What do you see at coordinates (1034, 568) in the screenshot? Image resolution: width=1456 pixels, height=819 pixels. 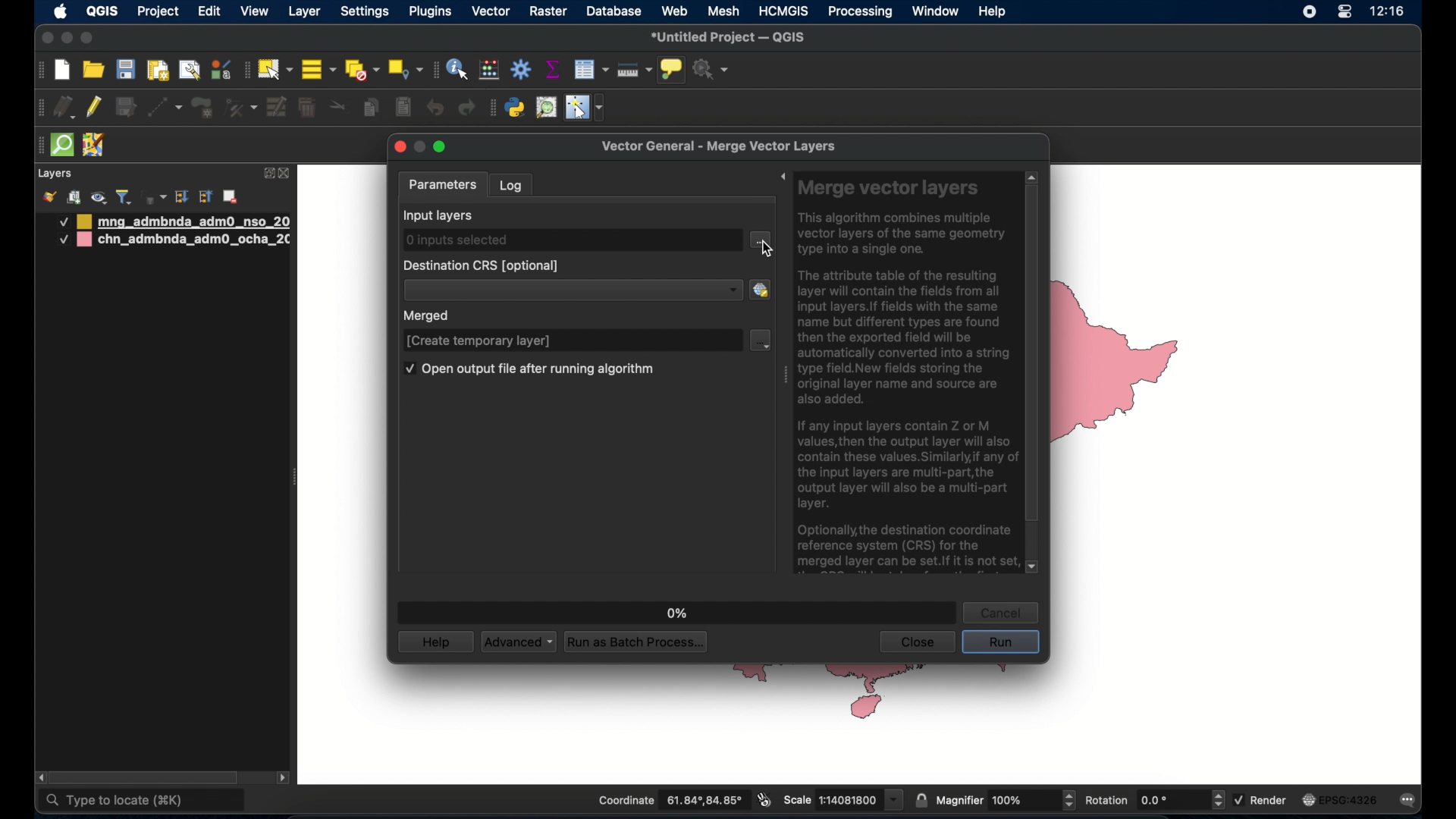 I see `scroll down arrow` at bounding box center [1034, 568].